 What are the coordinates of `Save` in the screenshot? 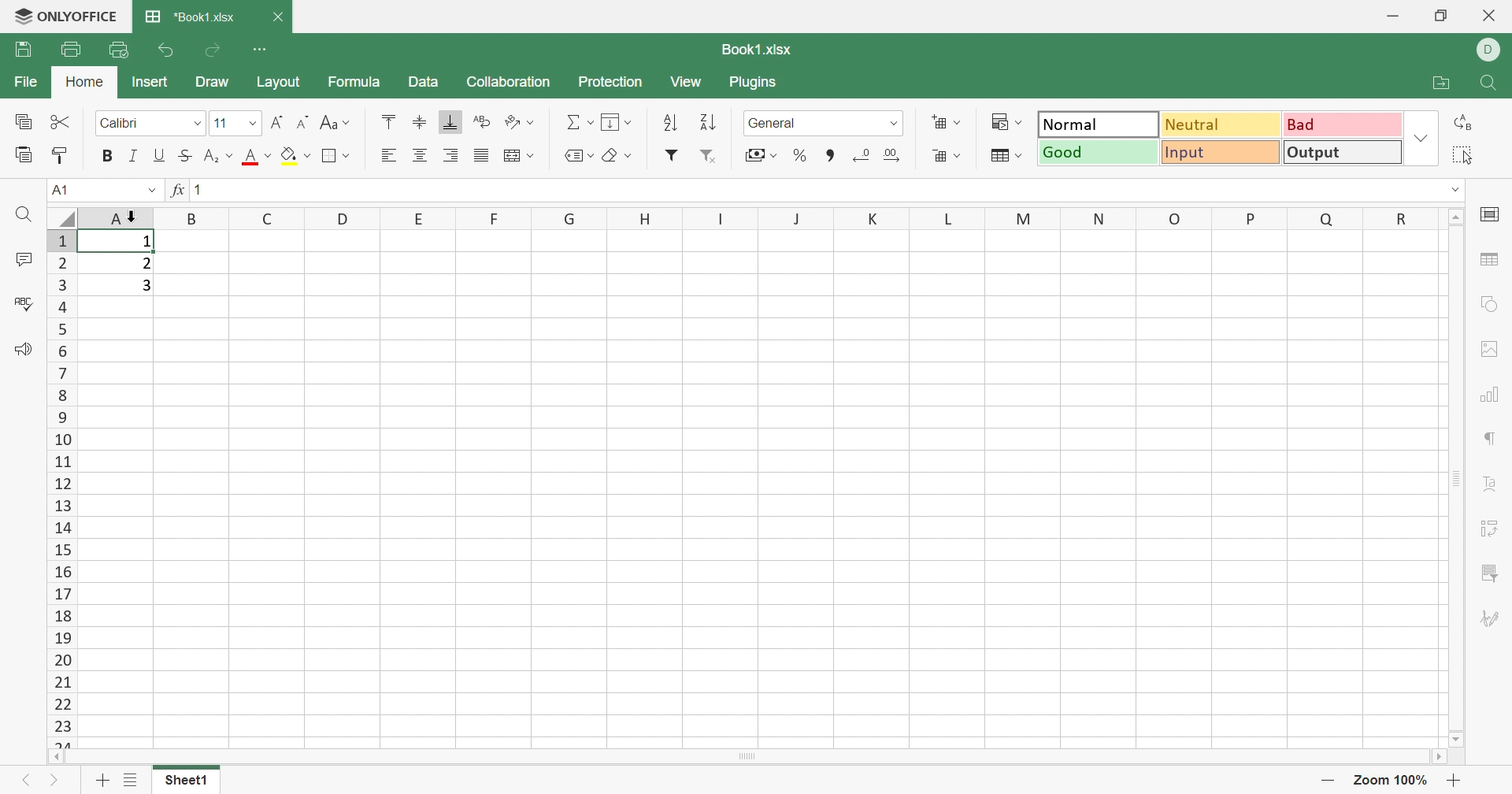 It's located at (23, 48).